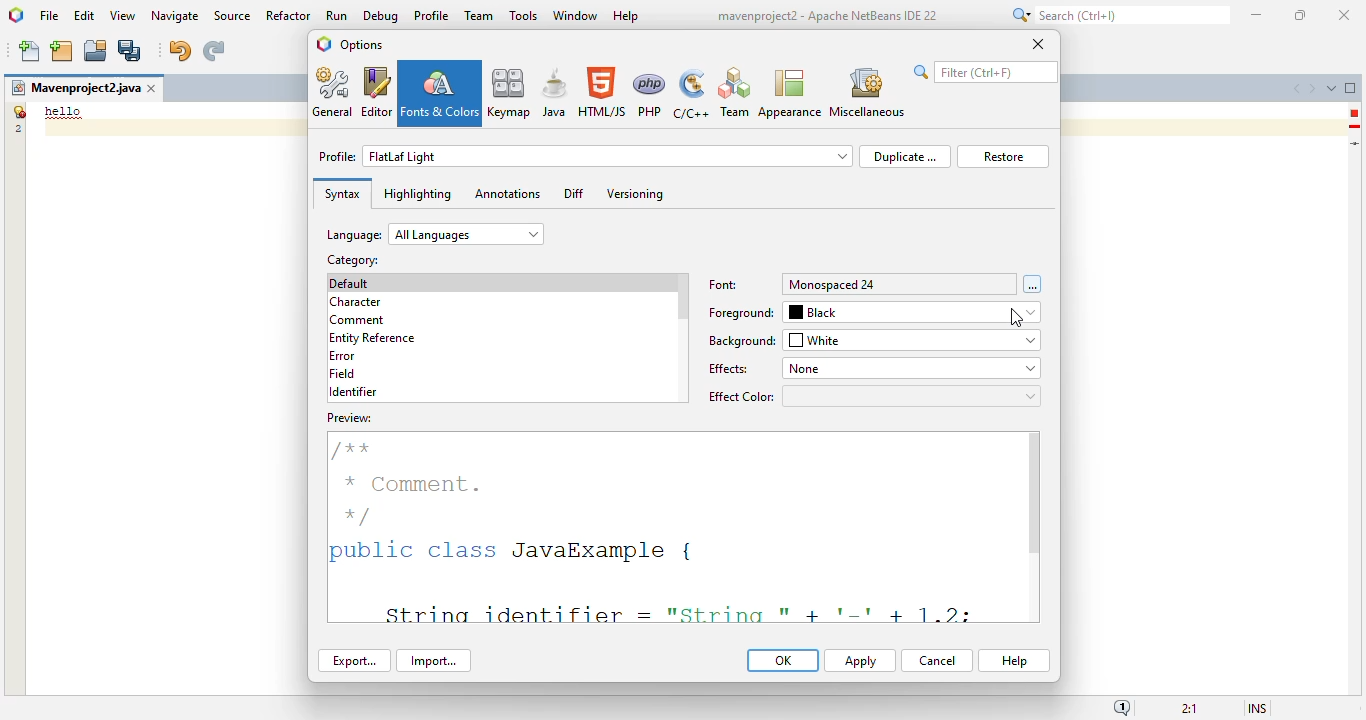 The image size is (1366, 720). Describe the element at coordinates (358, 321) in the screenshot. I see `comment` at that location.